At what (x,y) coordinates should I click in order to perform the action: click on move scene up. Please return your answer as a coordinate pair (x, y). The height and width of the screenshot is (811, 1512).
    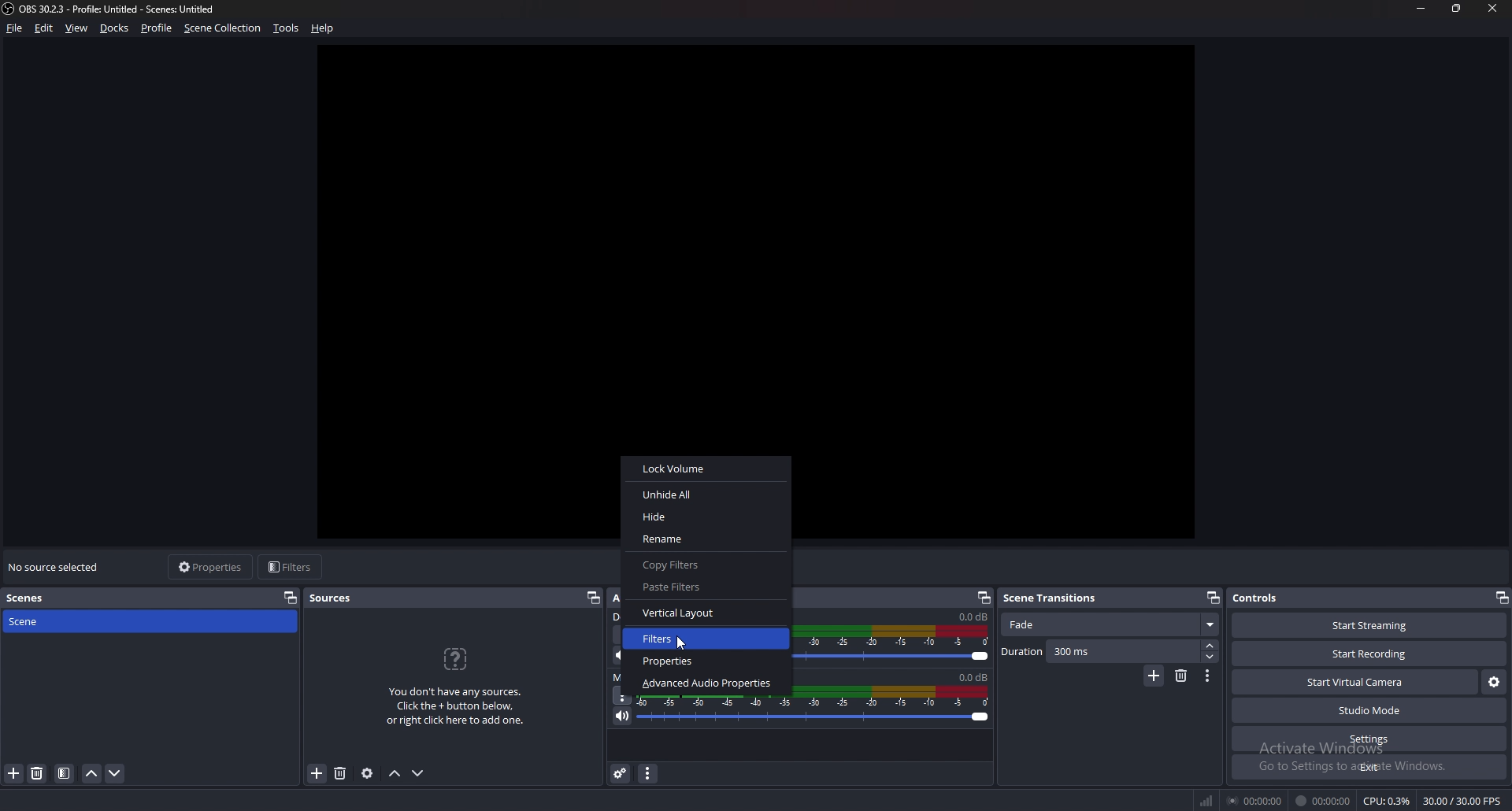
    Looking at the image, I should click on (91, 774).